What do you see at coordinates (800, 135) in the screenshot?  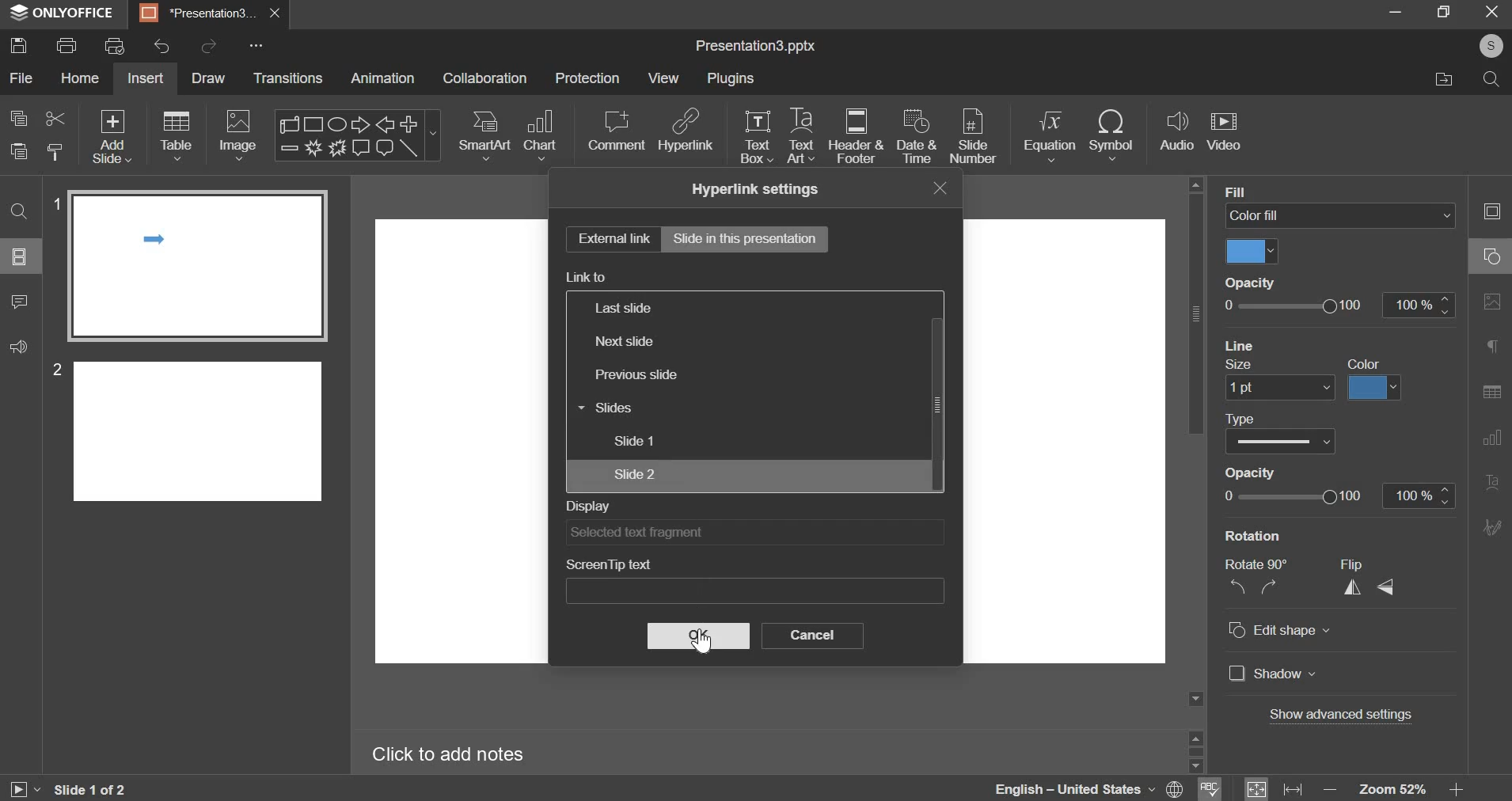 I see `text art` at bounding box center [800, 135].